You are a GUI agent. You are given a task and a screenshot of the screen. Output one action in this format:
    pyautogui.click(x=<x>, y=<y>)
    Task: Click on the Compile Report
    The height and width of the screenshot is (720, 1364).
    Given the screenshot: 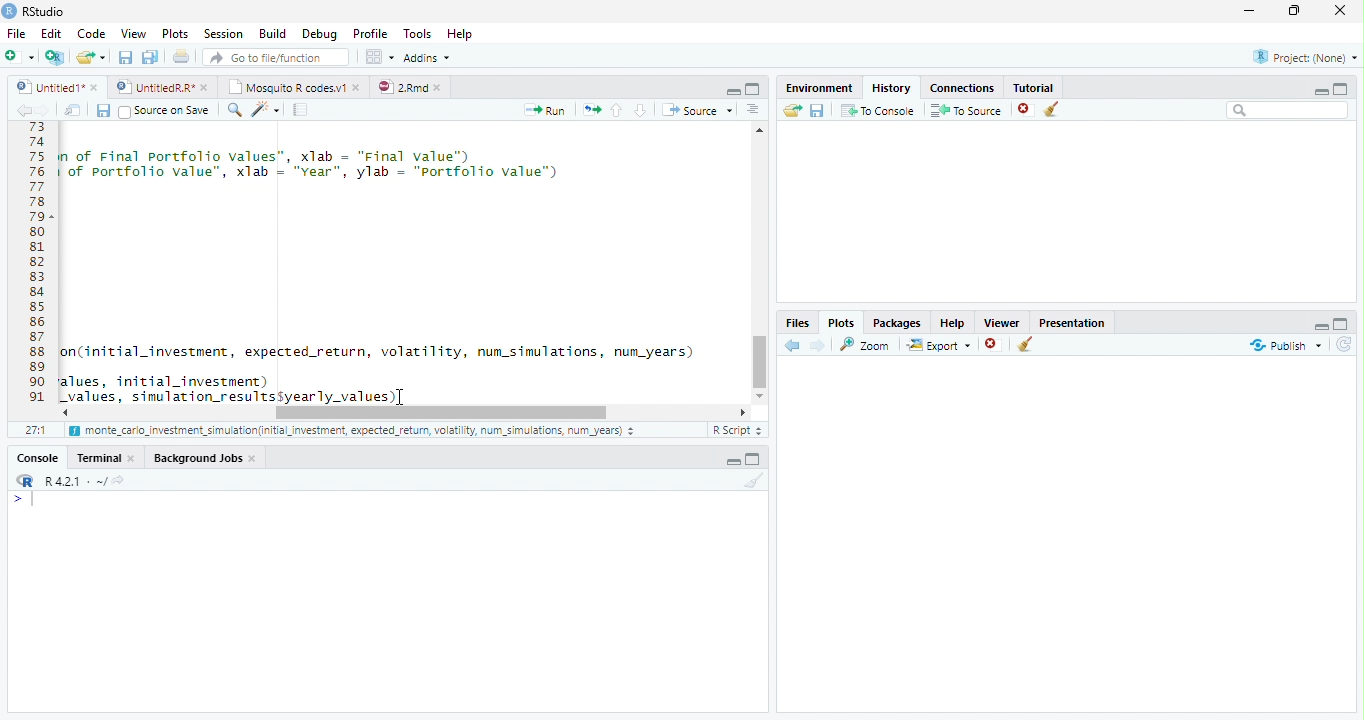 What is the action you would take?
    pyautogui.click(x=303, y=110)
    